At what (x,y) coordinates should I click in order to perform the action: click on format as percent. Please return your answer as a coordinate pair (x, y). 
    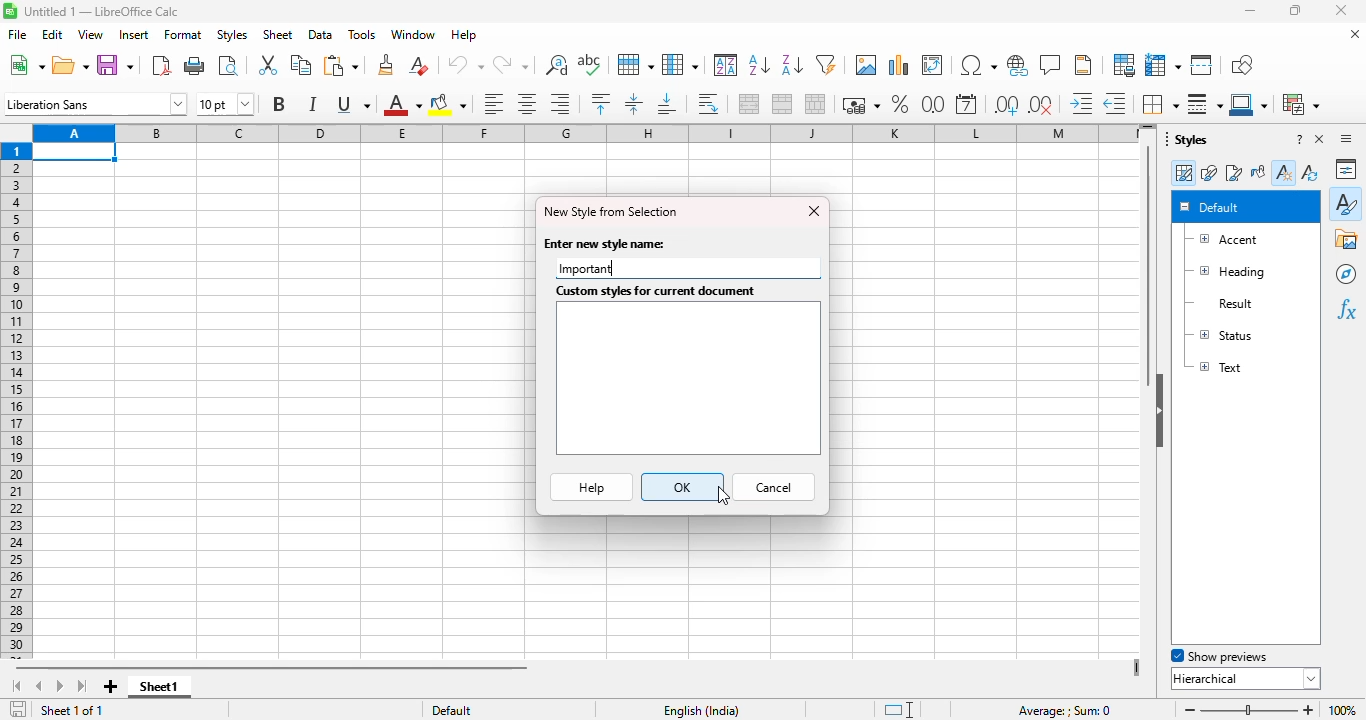
    Looking at the image, I should click on (900, 104).